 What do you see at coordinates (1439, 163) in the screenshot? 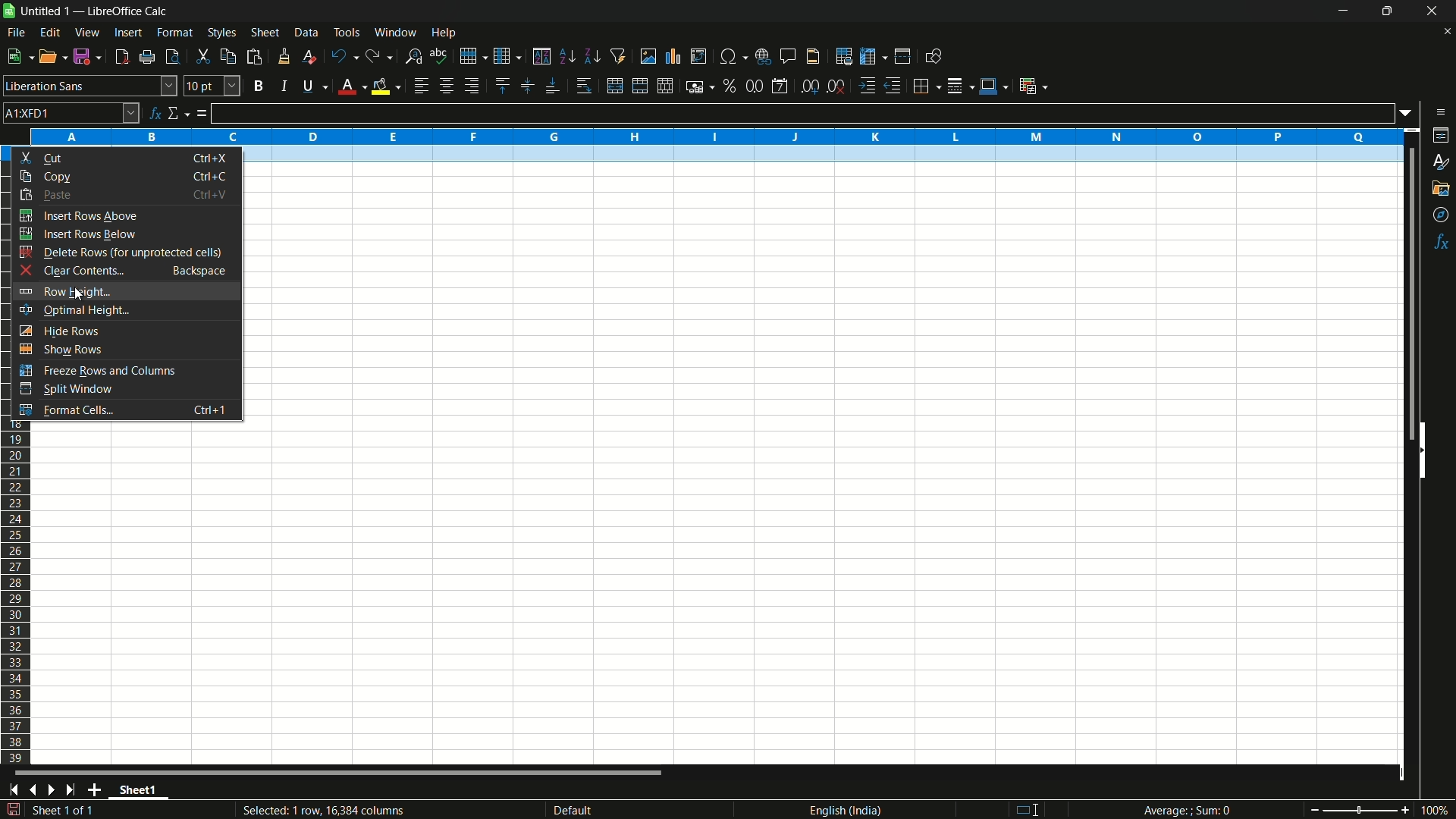
I see `styles` at bounding box center [1439, 163].